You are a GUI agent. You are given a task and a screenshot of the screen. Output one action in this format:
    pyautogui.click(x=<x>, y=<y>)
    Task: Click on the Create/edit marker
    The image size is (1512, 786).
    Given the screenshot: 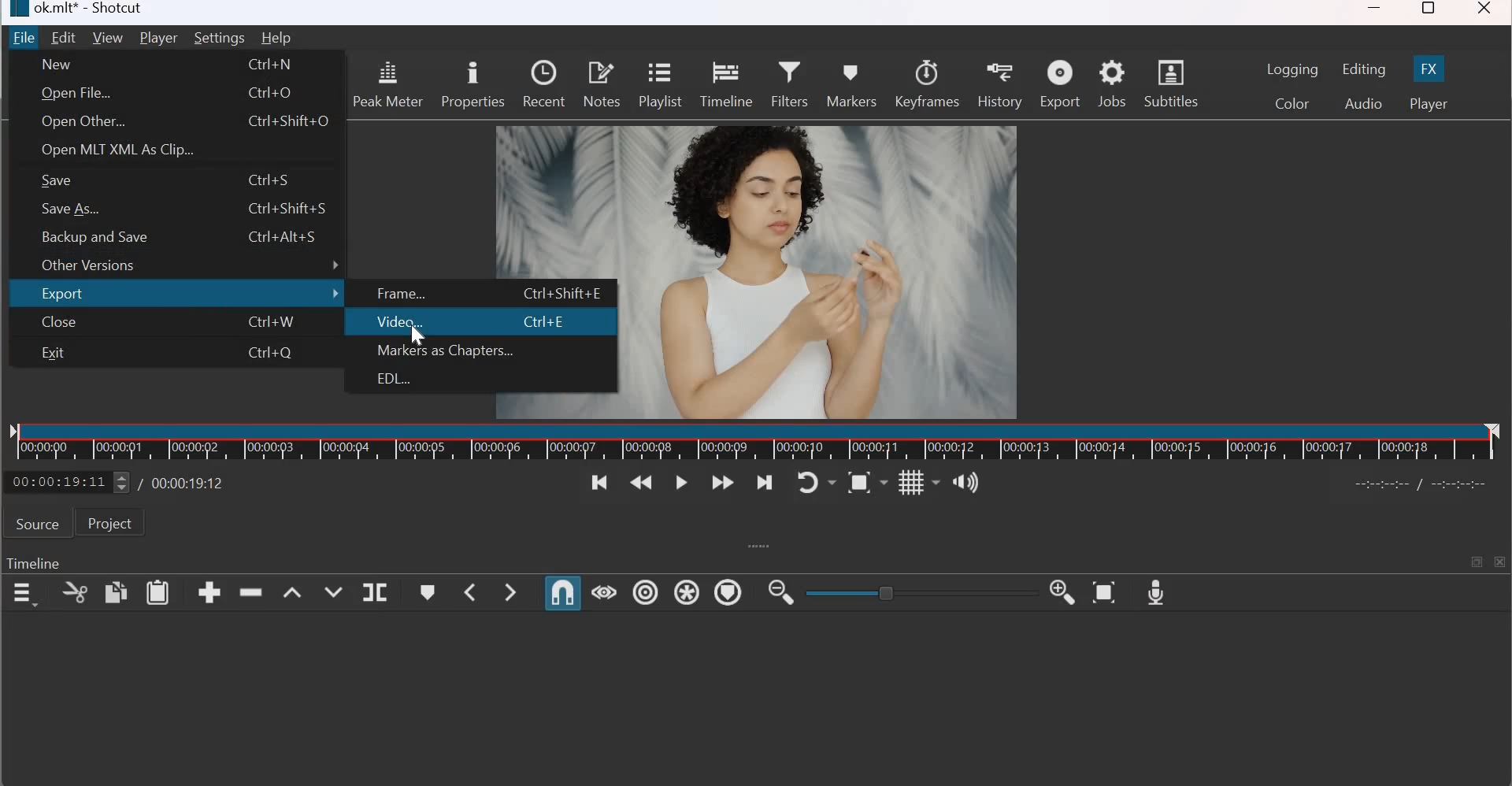 What is the action you would take?
    pyautogui.click(x=427, y=592)
    